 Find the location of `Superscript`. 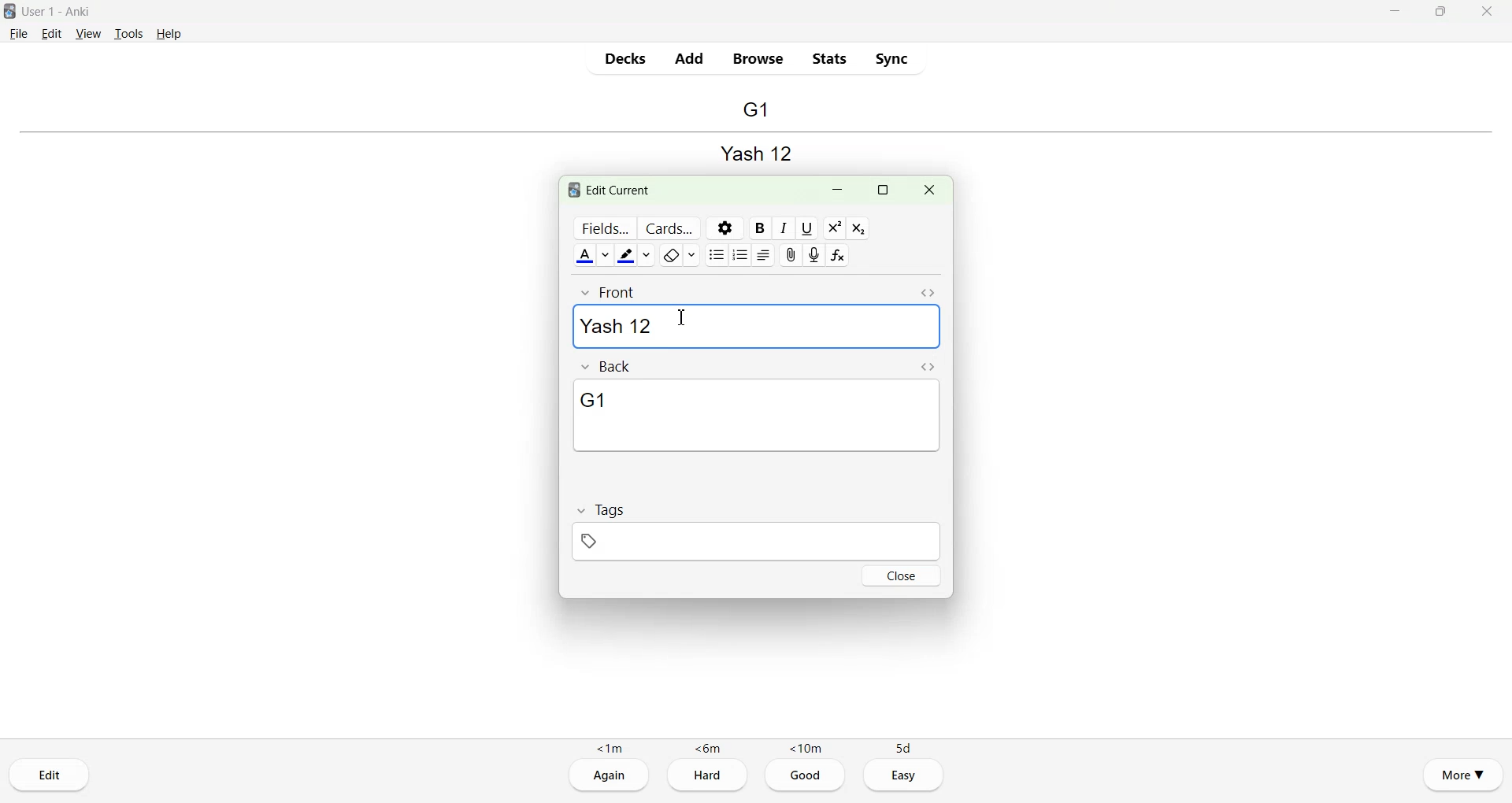

Superscript is located at coordinates (835, 228).